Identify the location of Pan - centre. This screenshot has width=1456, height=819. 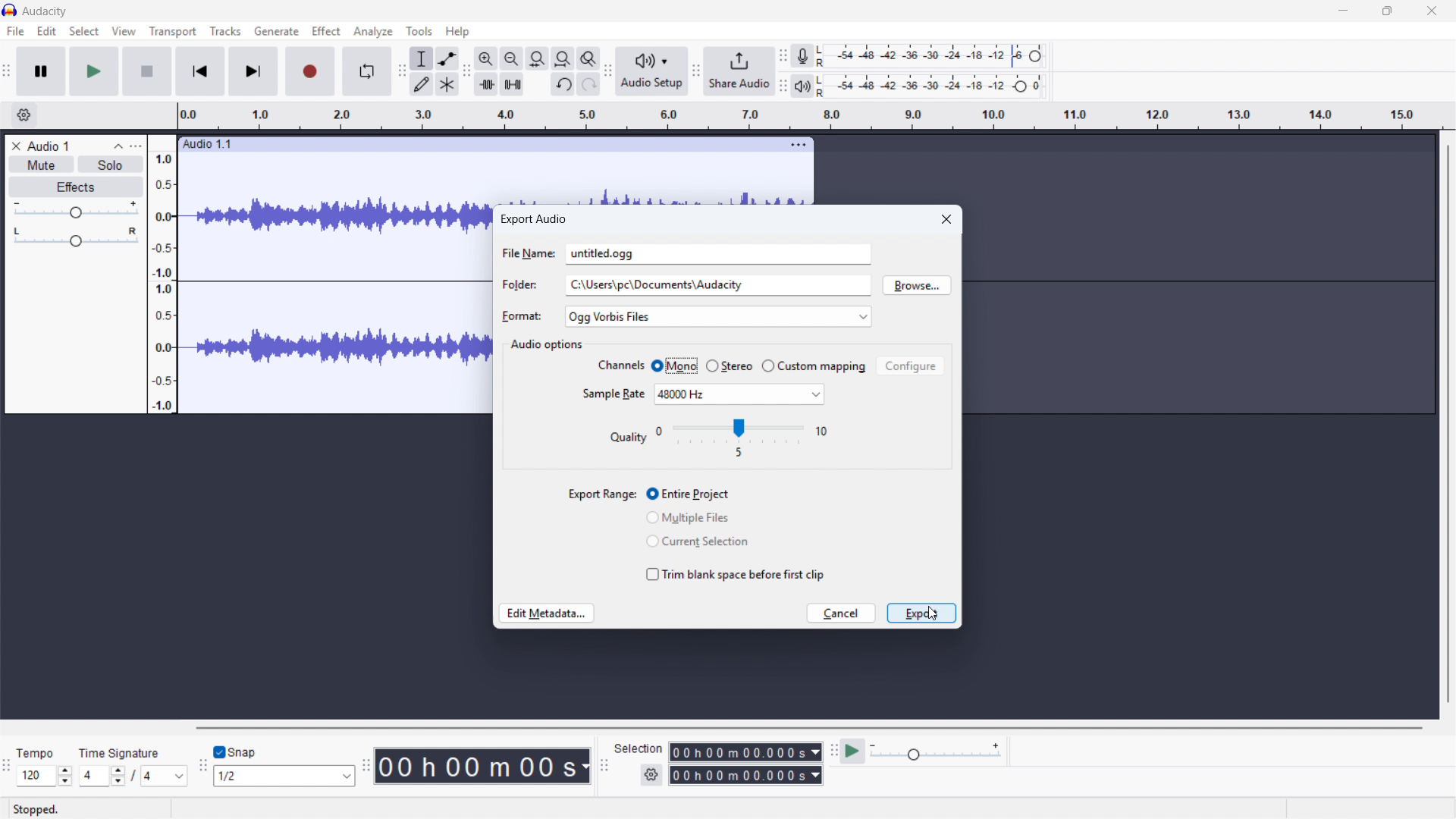
(76, 238).